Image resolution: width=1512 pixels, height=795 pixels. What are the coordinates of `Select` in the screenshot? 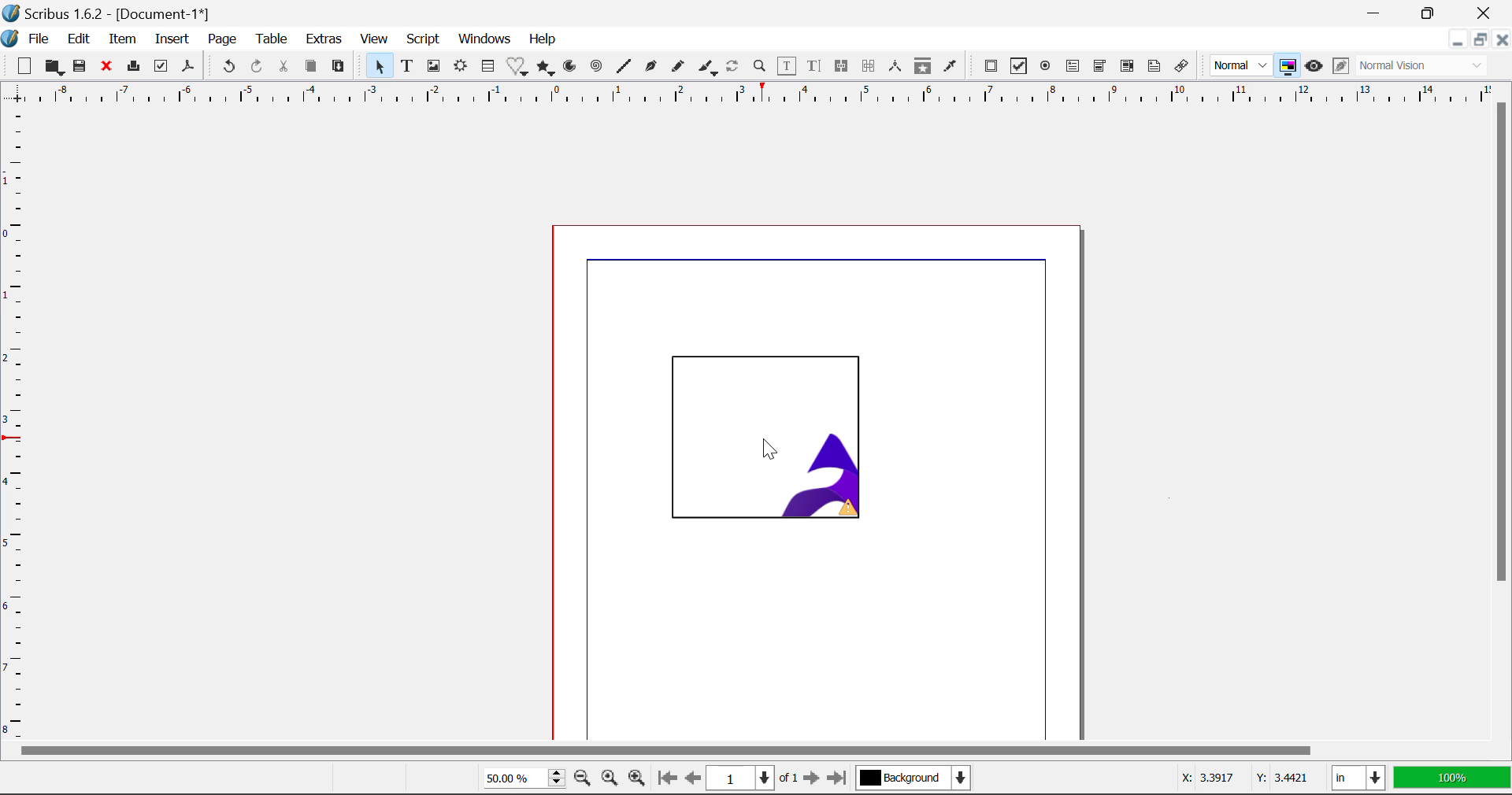 It's located at (378, 66).